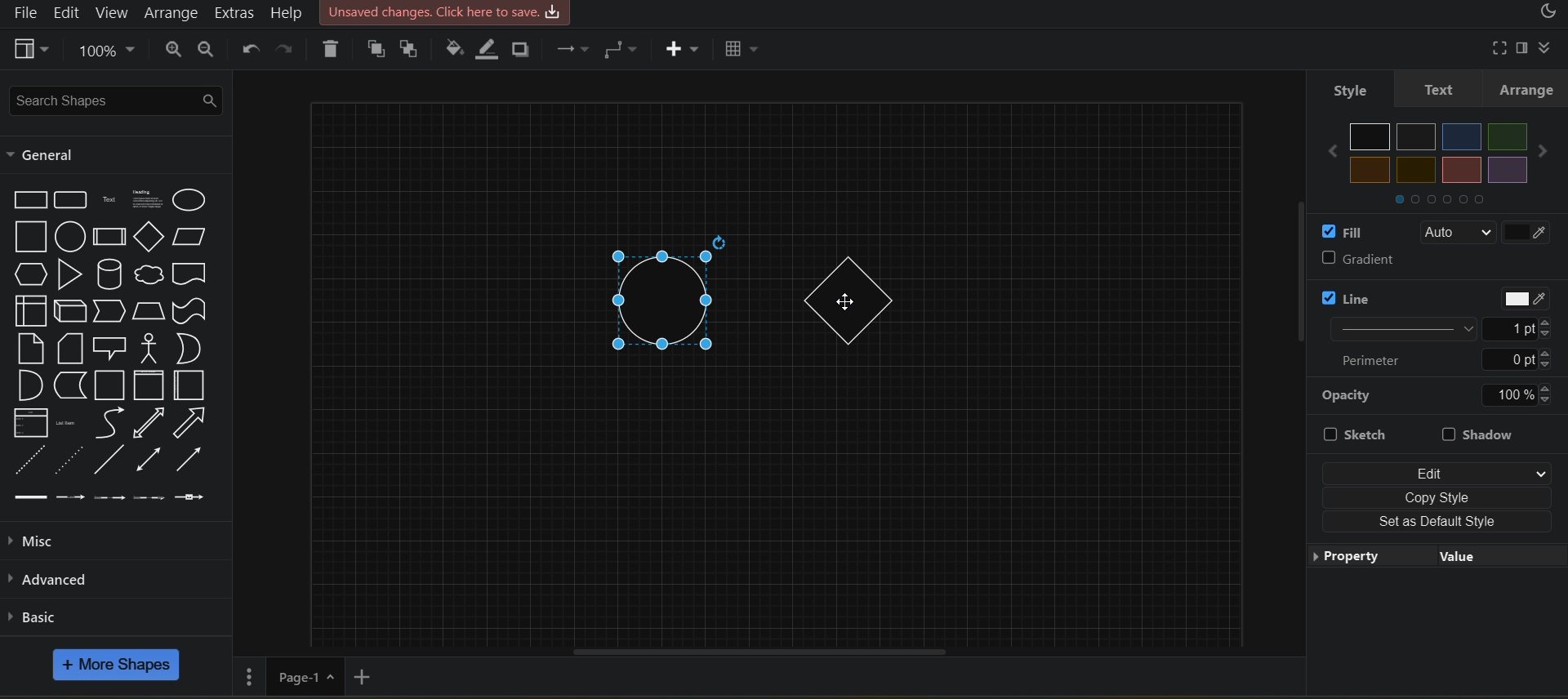 The height and width of the screenshot is (699, 1568). What do you see at coordinates (31, 423) in the screenshot?
I see `List` at bounding box center [31, 423].